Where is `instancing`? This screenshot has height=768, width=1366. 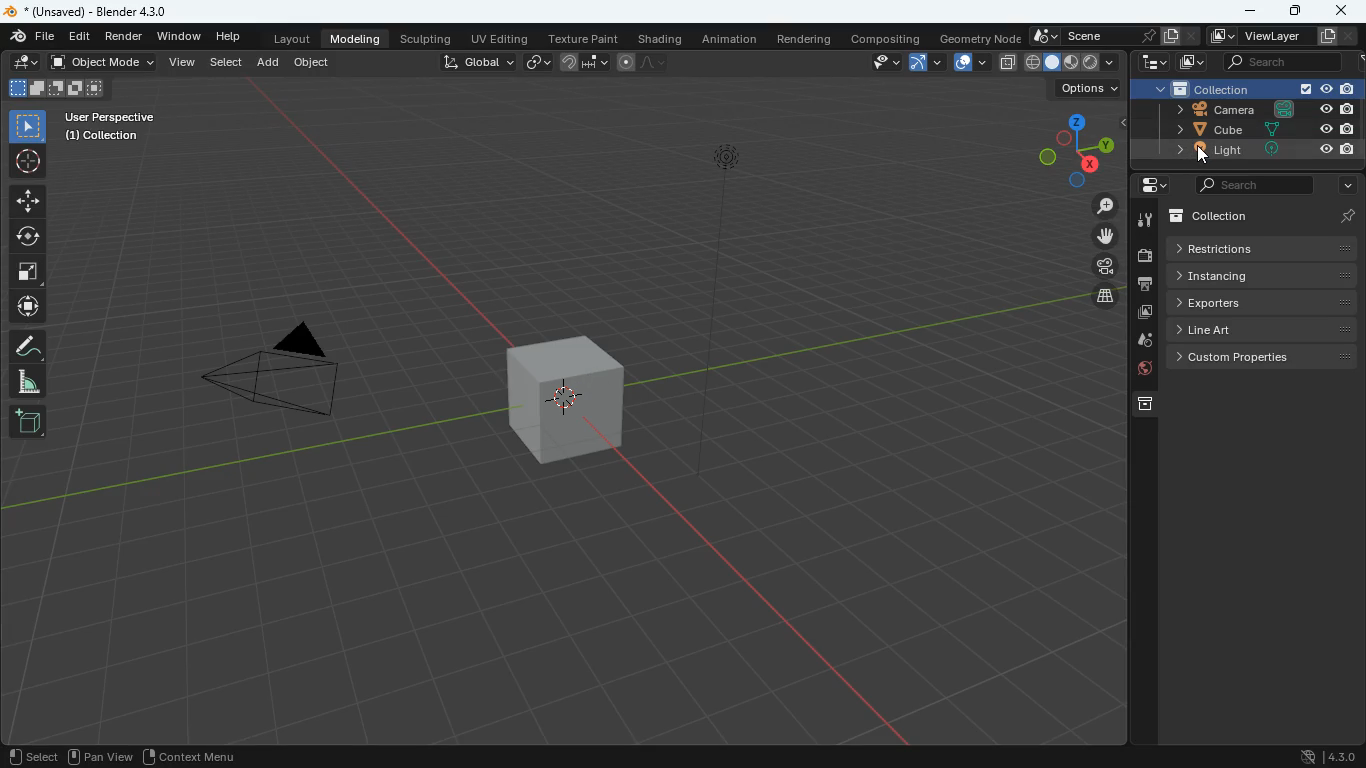 instancing is located at coordinates (1264, 276).